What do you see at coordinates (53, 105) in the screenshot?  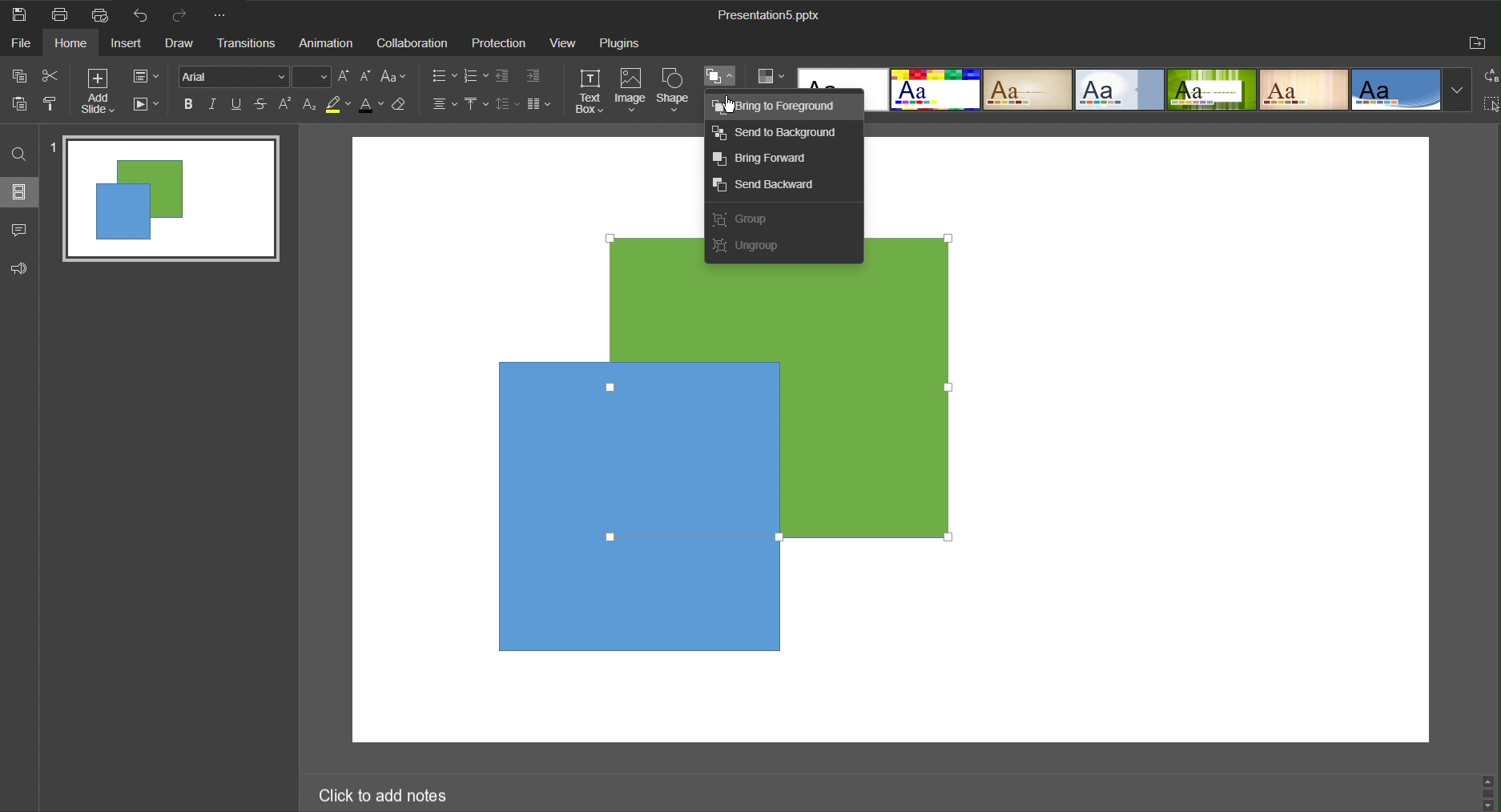 I see `Copy Style` at bounding box center [53, 105].